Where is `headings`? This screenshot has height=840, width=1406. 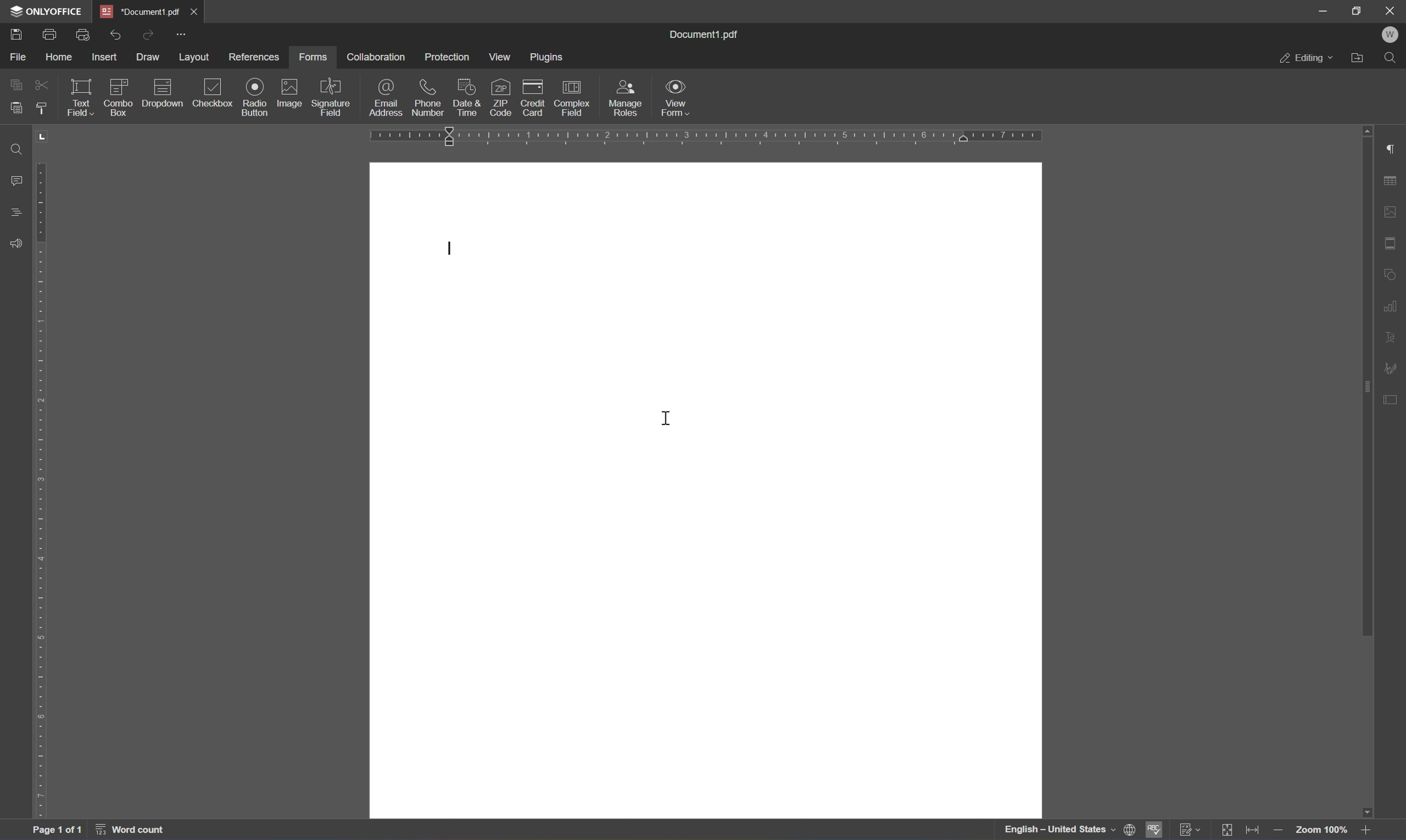
headings is located at coordinates (16, 212).